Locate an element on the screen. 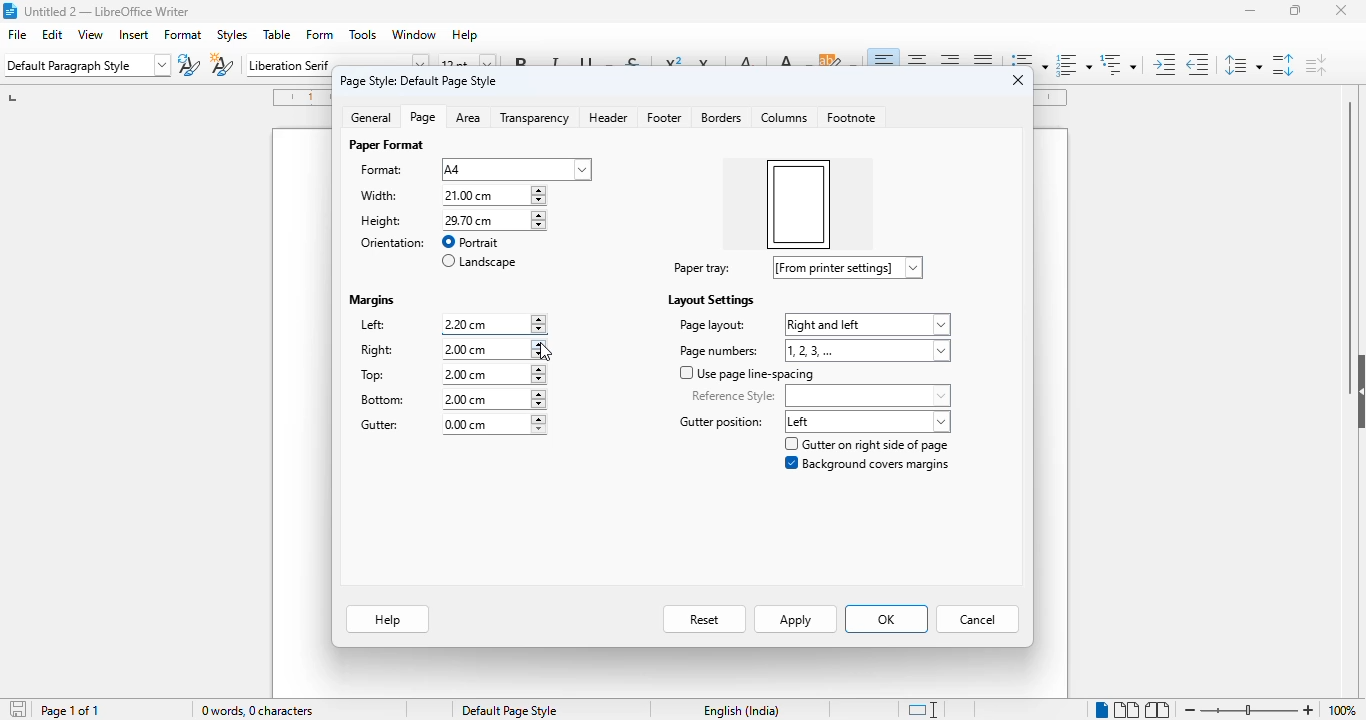 The width and height of the screenshot is (1366, 720). footnote is located at coordinates (853, 117).